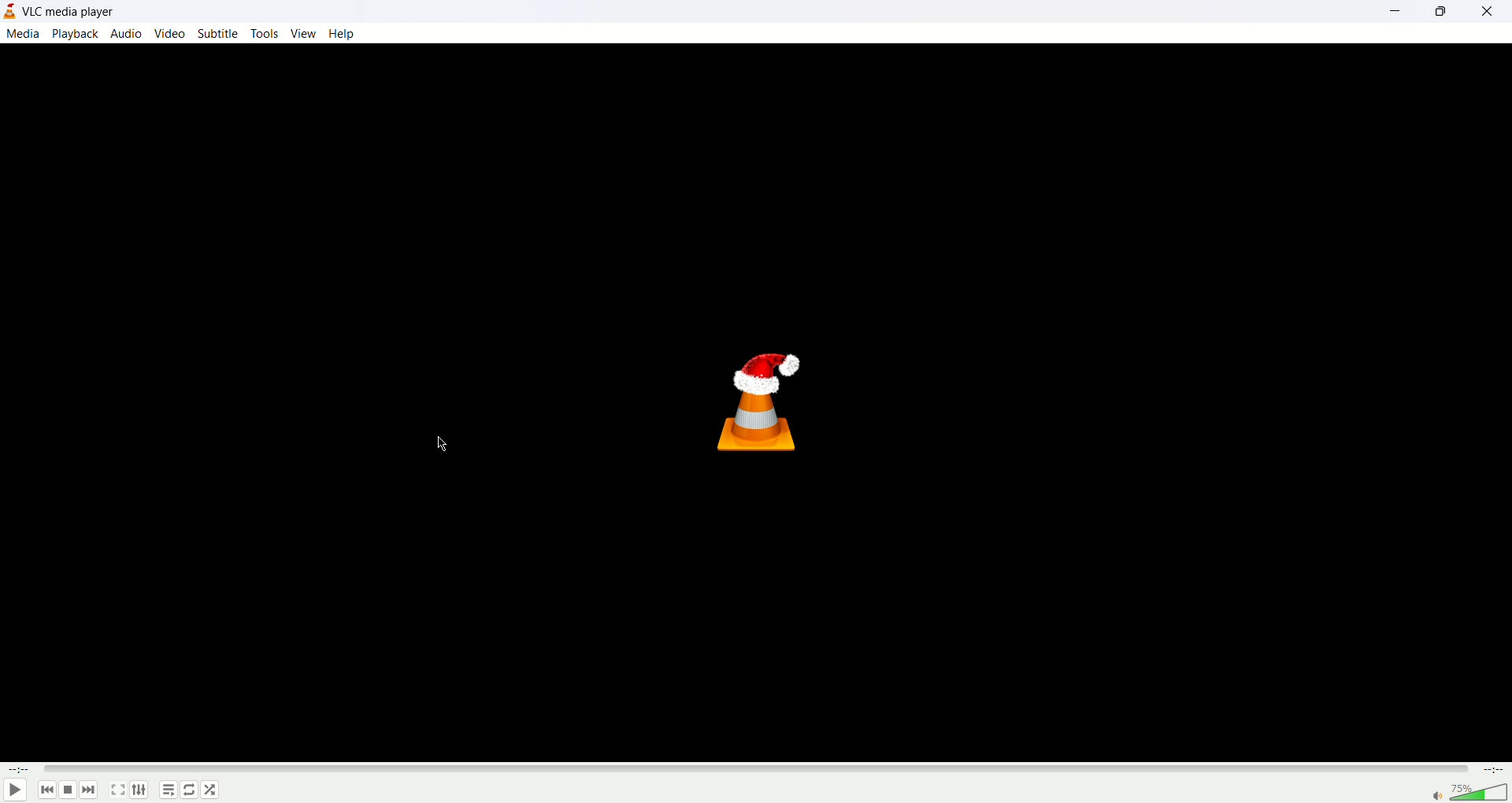 The image size is (1512, 803). I want to click on cursor, so click(443, 444).